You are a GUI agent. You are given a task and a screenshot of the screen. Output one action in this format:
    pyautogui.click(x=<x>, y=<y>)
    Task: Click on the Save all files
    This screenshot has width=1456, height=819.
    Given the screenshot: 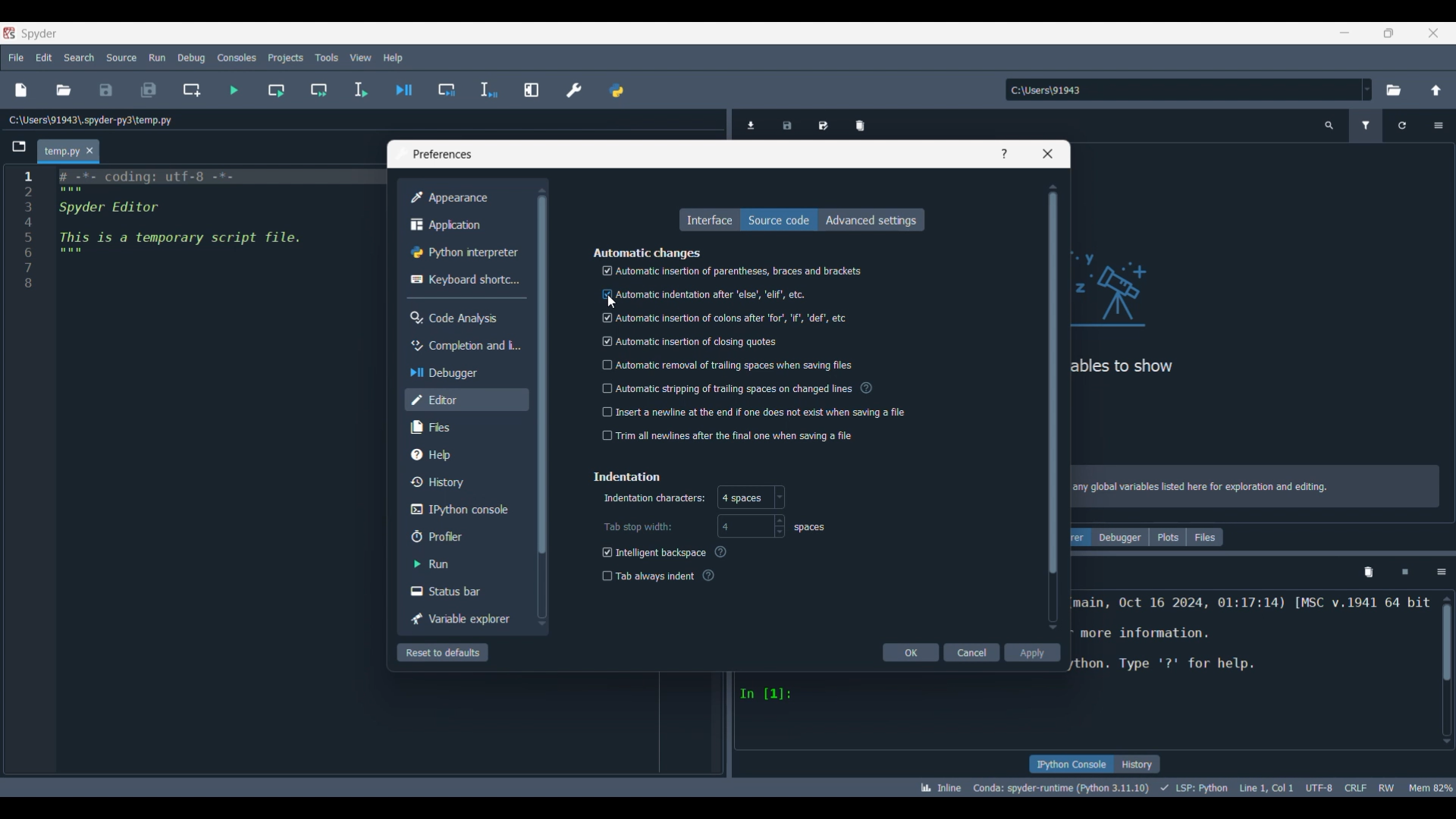 What is the action you would take?
    pyautogui.click(x=149, y=90)
    